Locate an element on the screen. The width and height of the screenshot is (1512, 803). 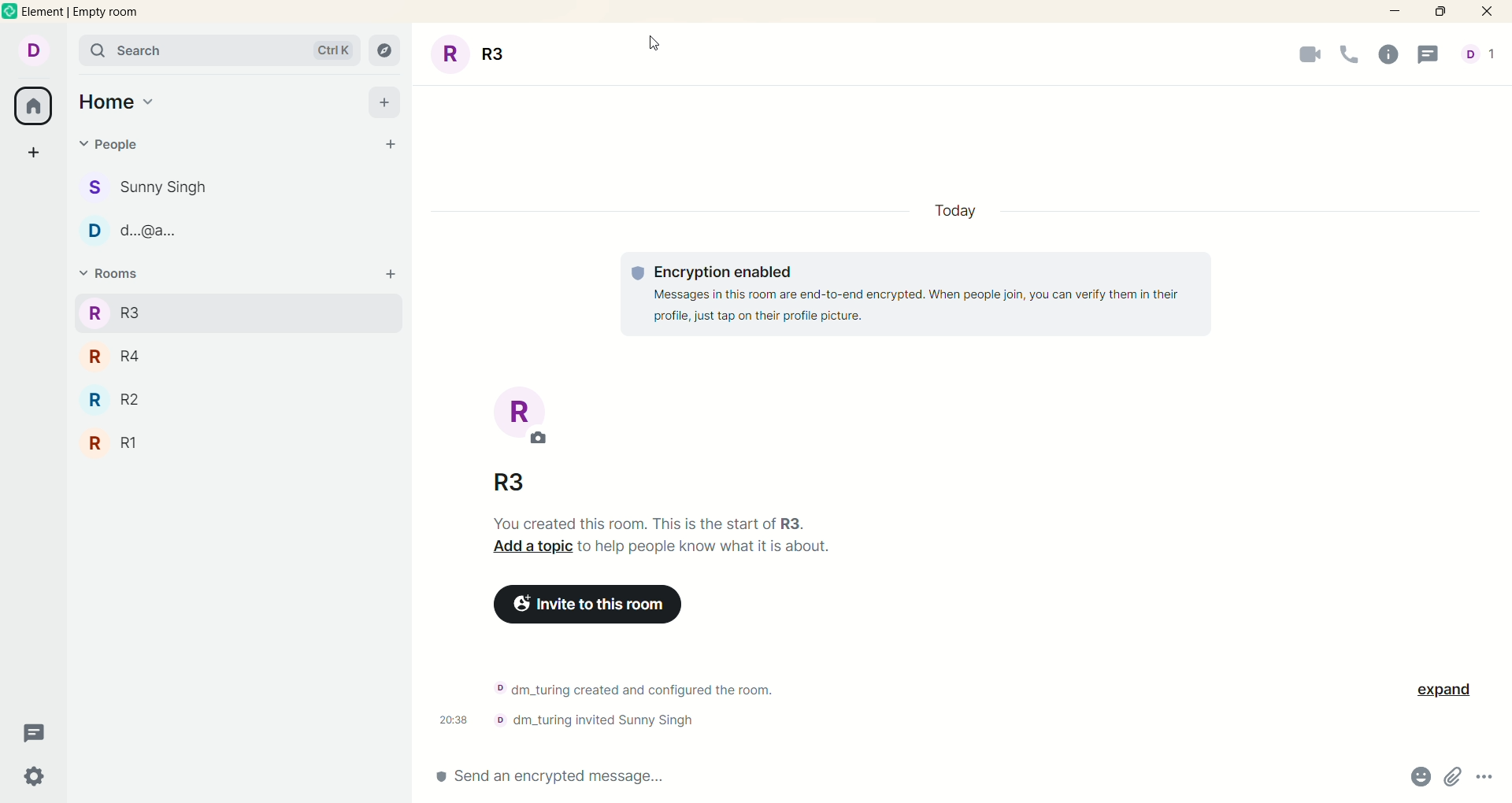
R R1 is located at coordinates (113, 442).